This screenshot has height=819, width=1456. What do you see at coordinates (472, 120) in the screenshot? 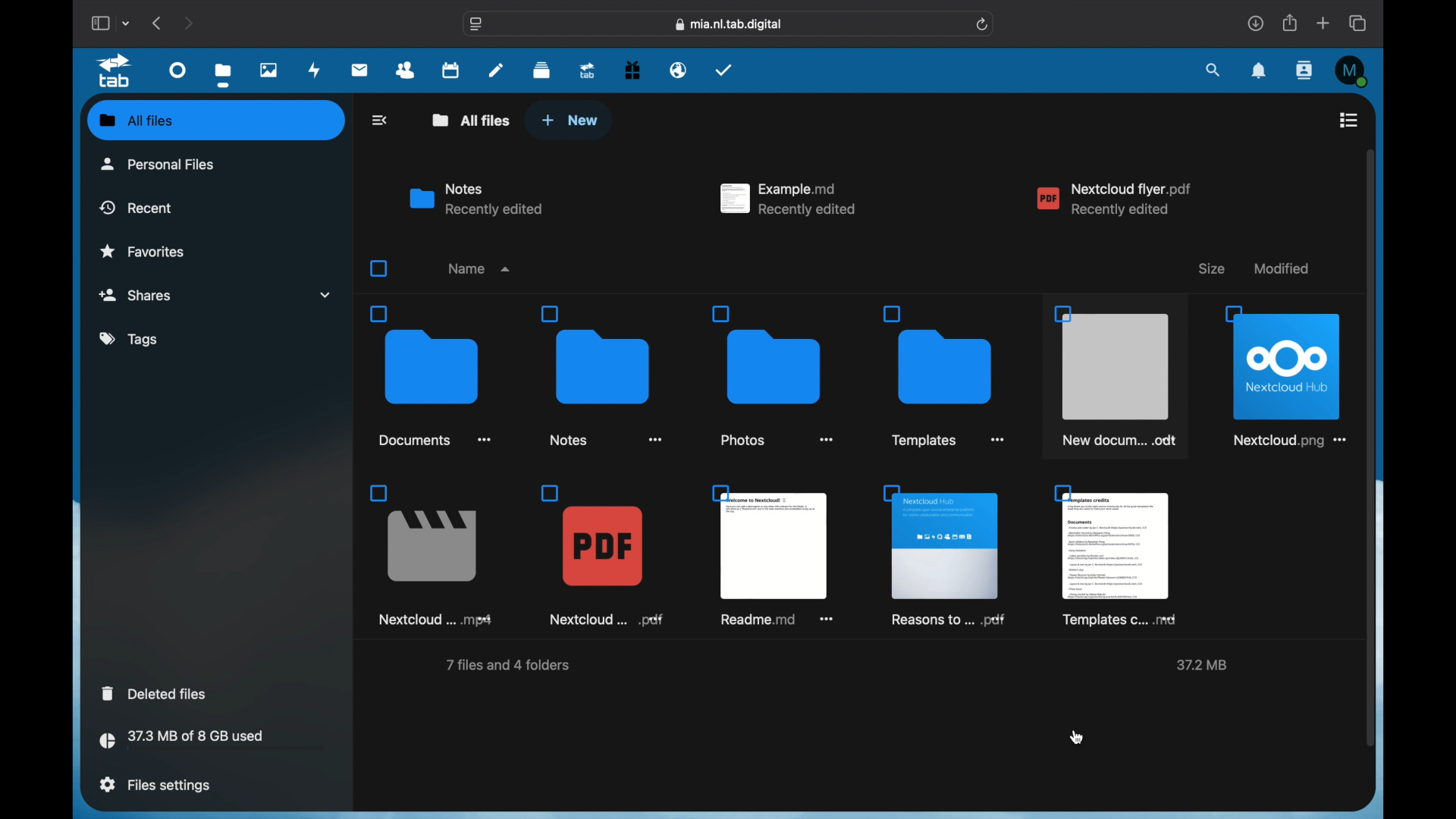
I see `all files` at bounding box center [472, 120].